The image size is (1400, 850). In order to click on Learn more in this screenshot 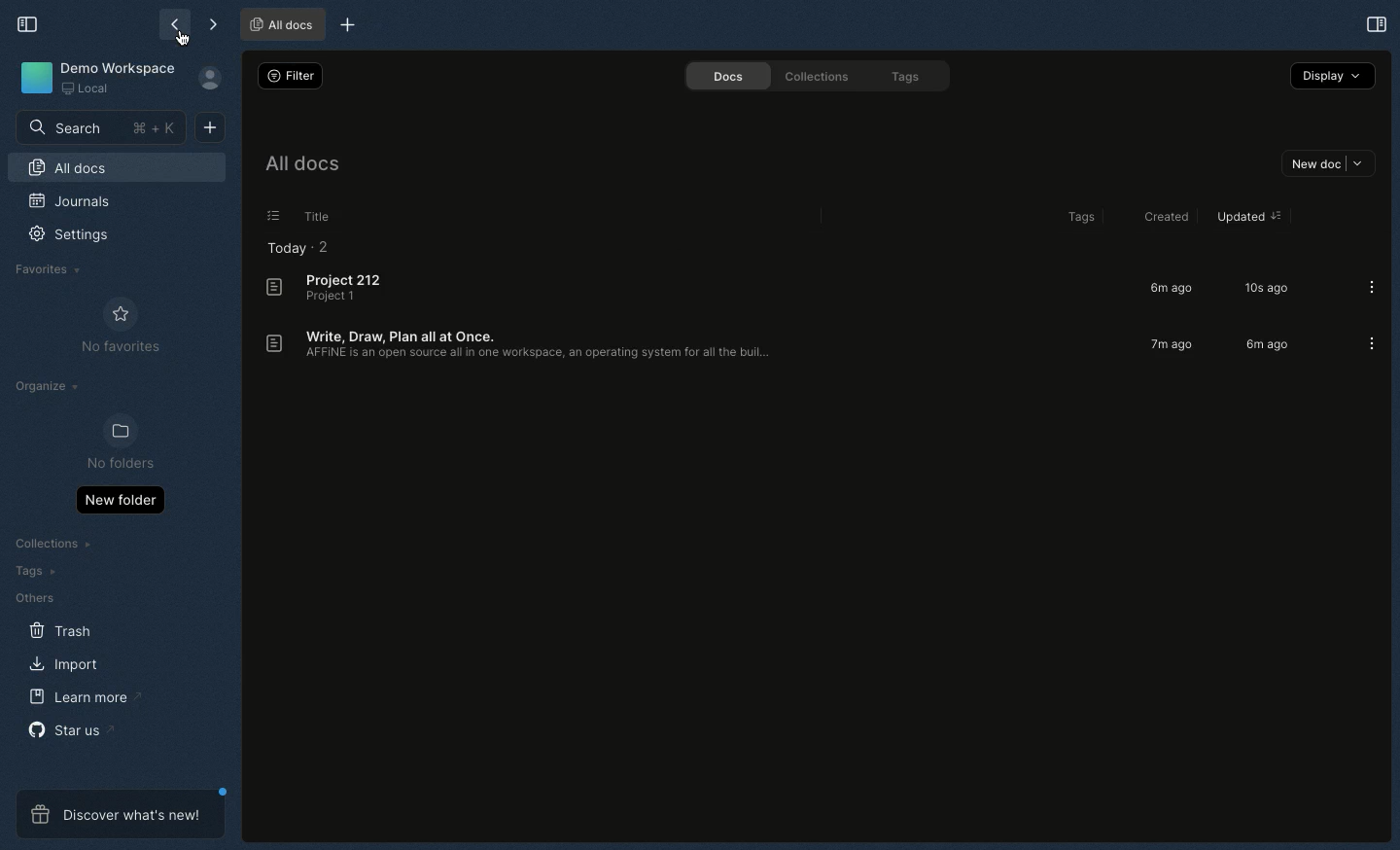, I will do `click(85, 697)`.